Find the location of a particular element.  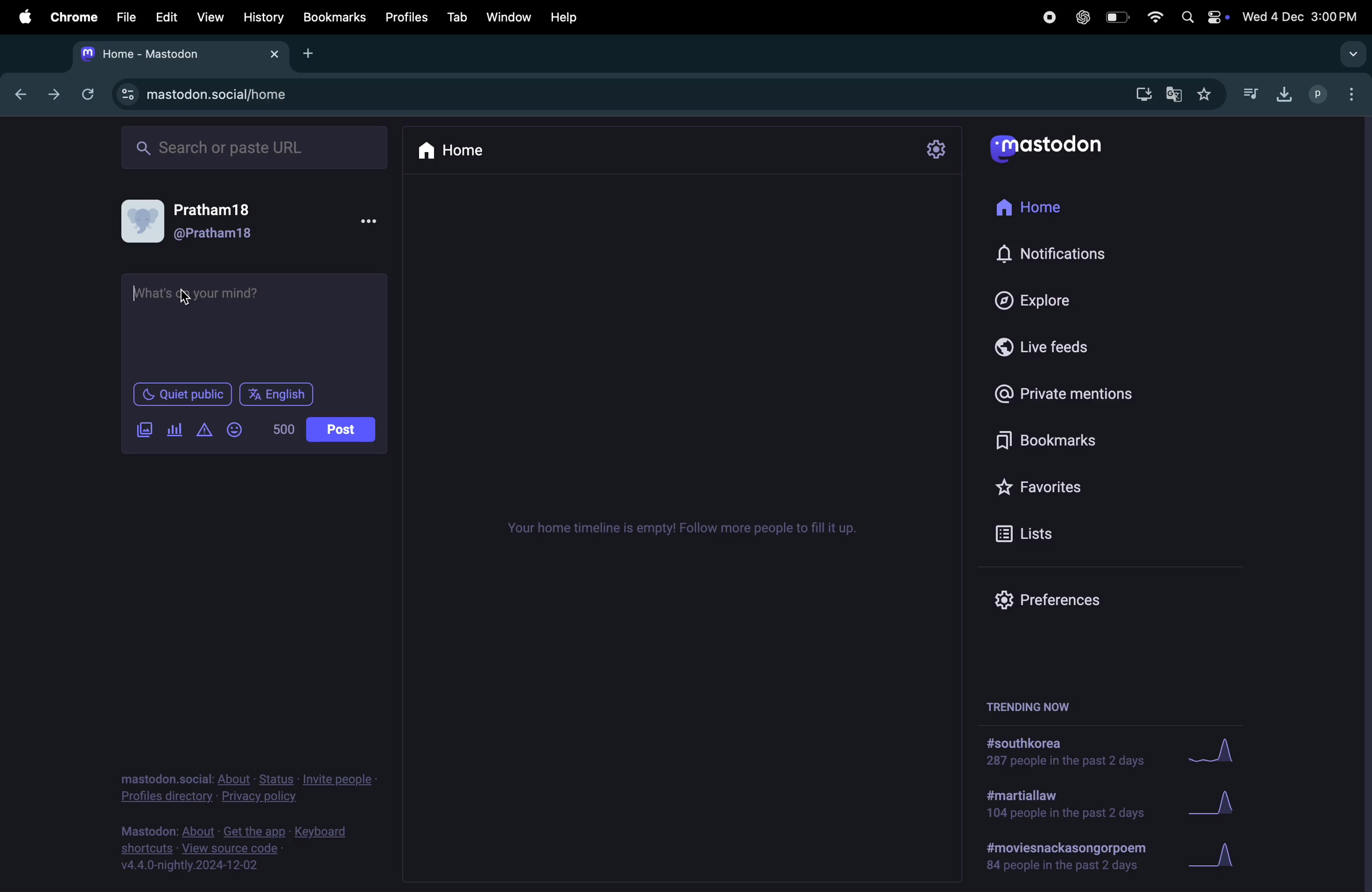

Explore is located at coordinates (1046, 300).